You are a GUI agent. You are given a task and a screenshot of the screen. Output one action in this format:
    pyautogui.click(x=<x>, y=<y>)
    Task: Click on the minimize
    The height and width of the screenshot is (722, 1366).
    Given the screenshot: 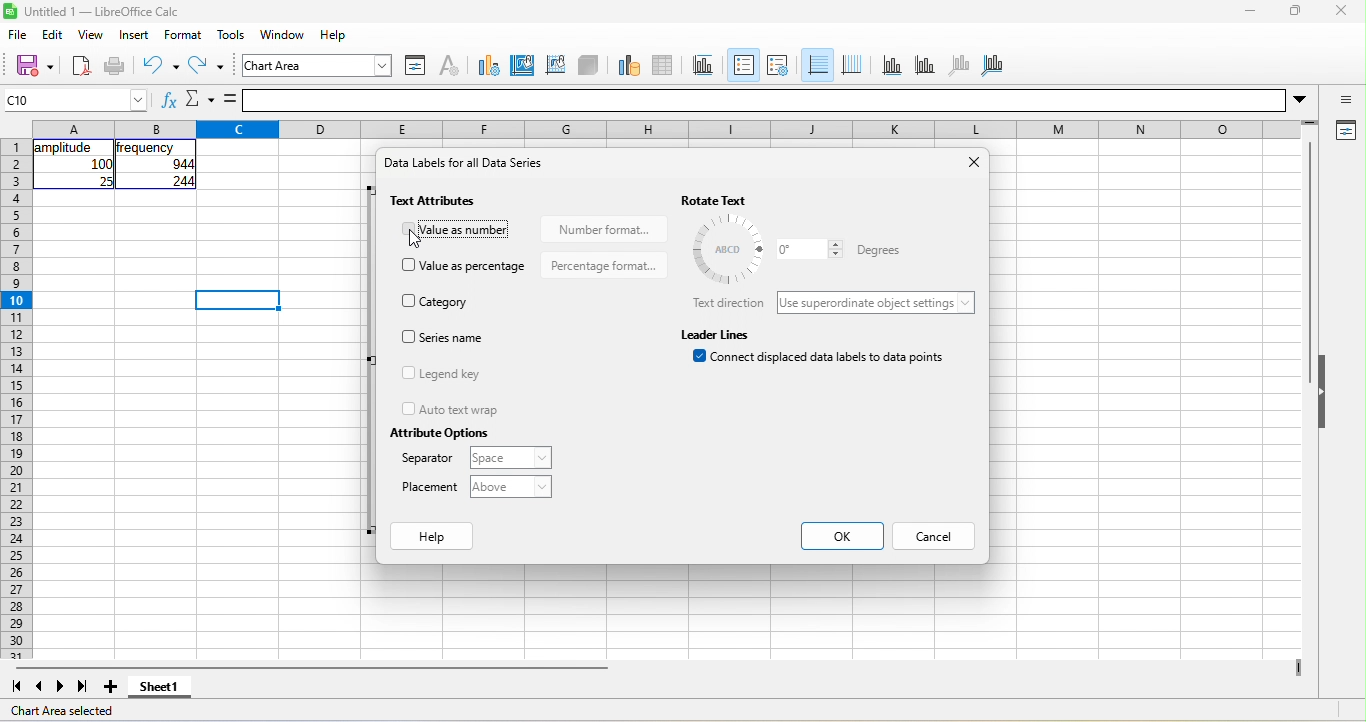 What is the action you would take?
    pyautogui.click(x=1248, y=13)
    